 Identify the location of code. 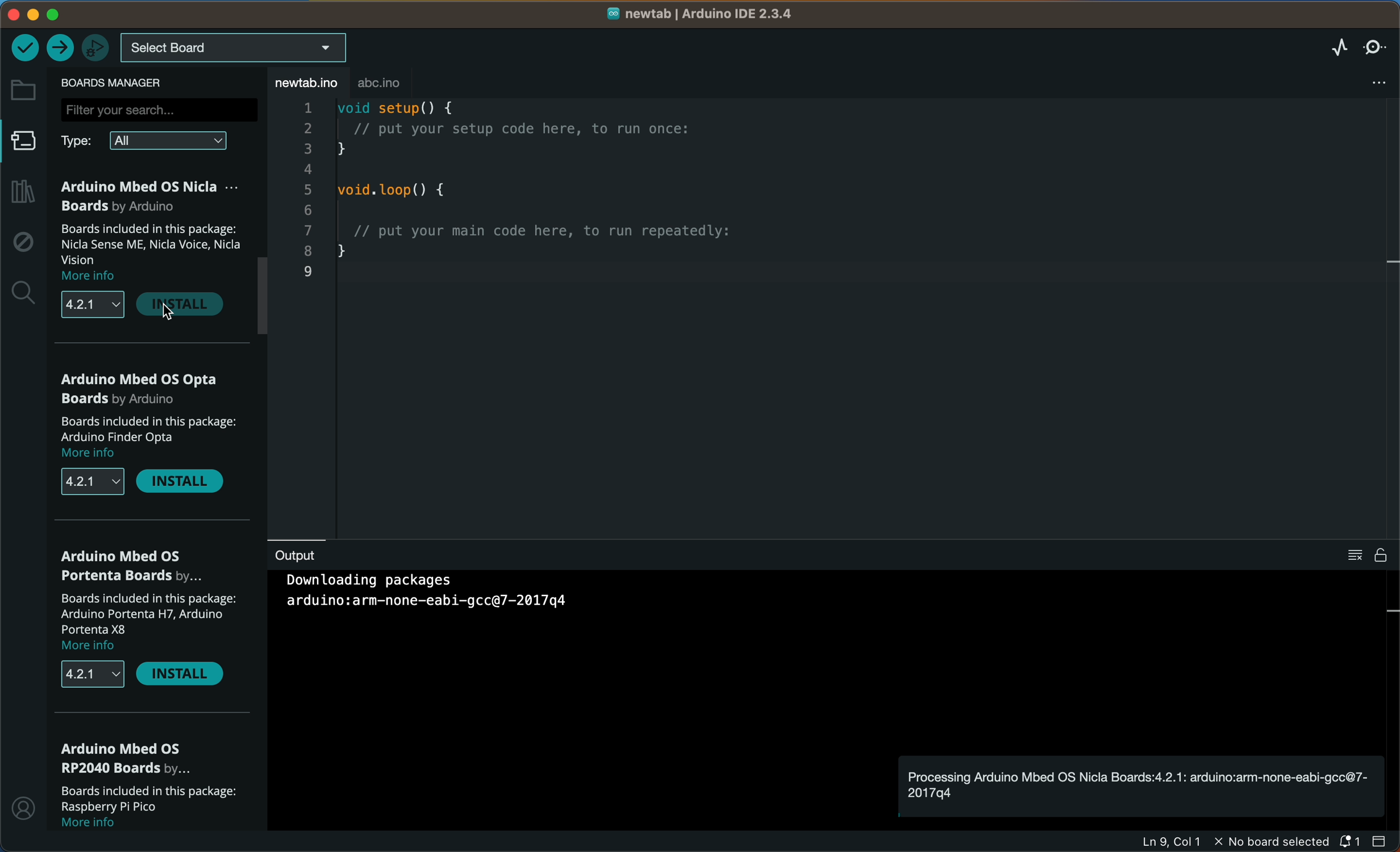
(571, 201).